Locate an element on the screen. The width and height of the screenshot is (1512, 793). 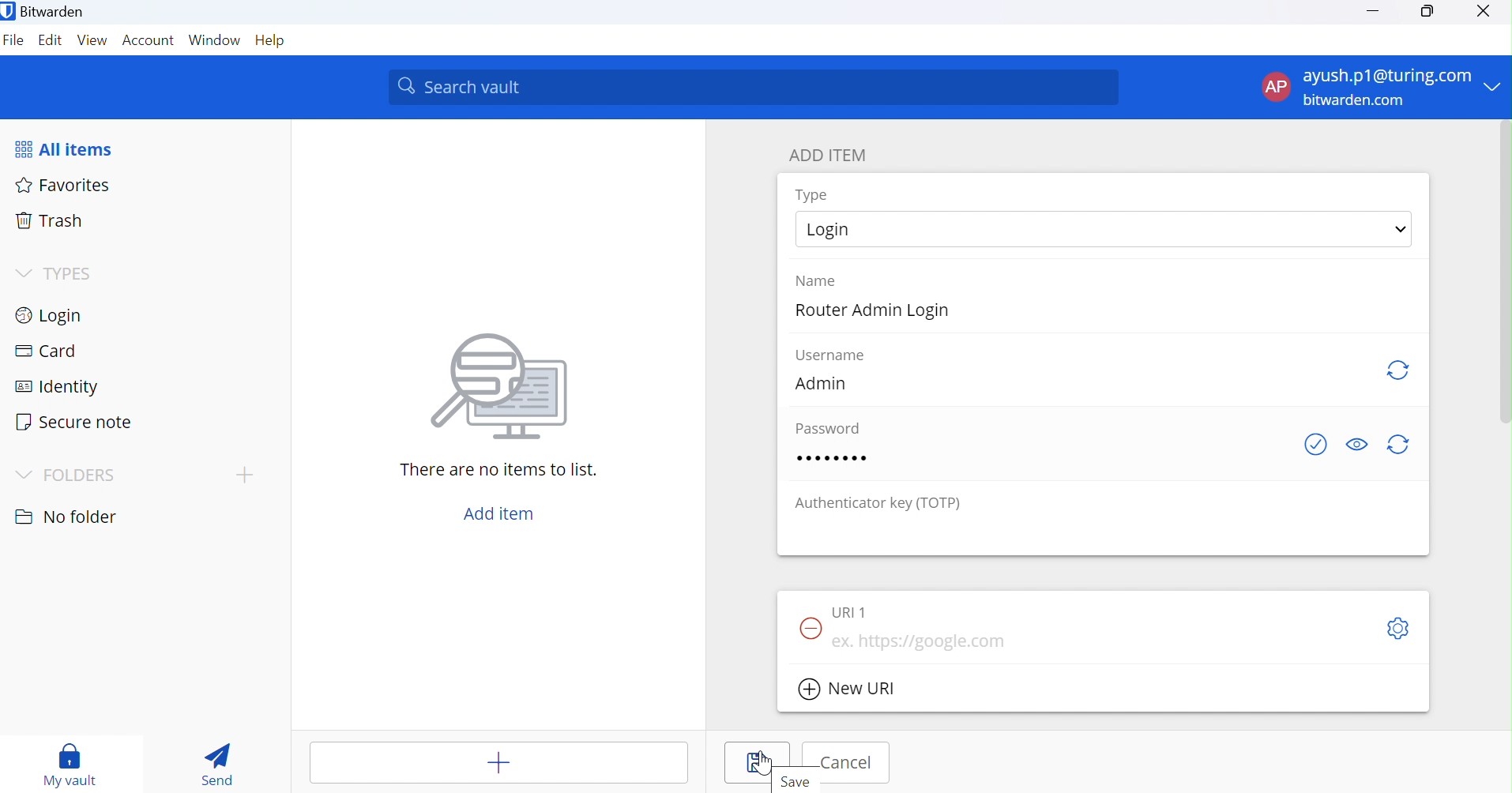
Login is located at coordinates (55, 314).